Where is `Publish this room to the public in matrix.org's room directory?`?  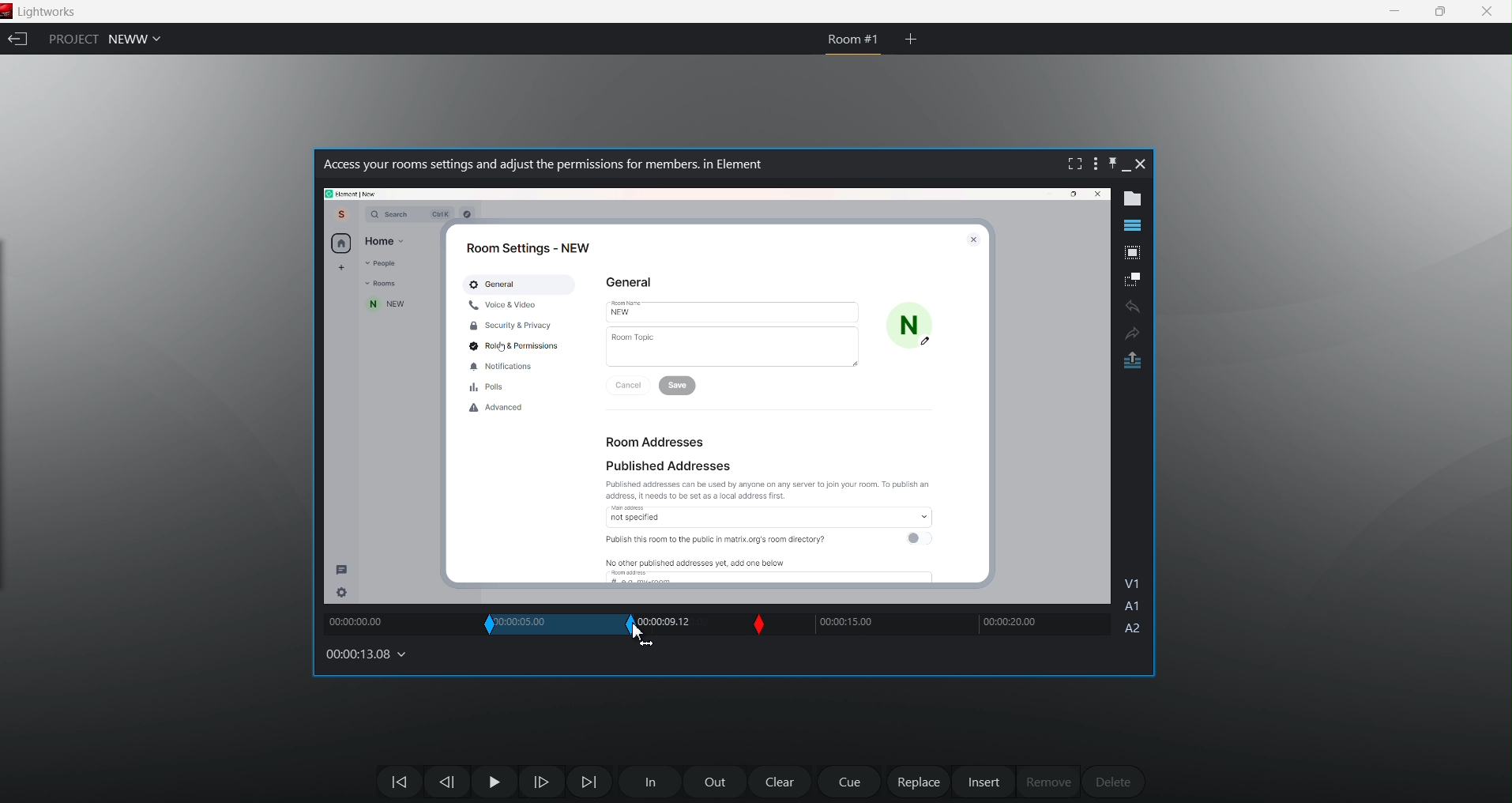 Publish this room to the public in matrix.org's room directory? is located at coordinates (715, 538).